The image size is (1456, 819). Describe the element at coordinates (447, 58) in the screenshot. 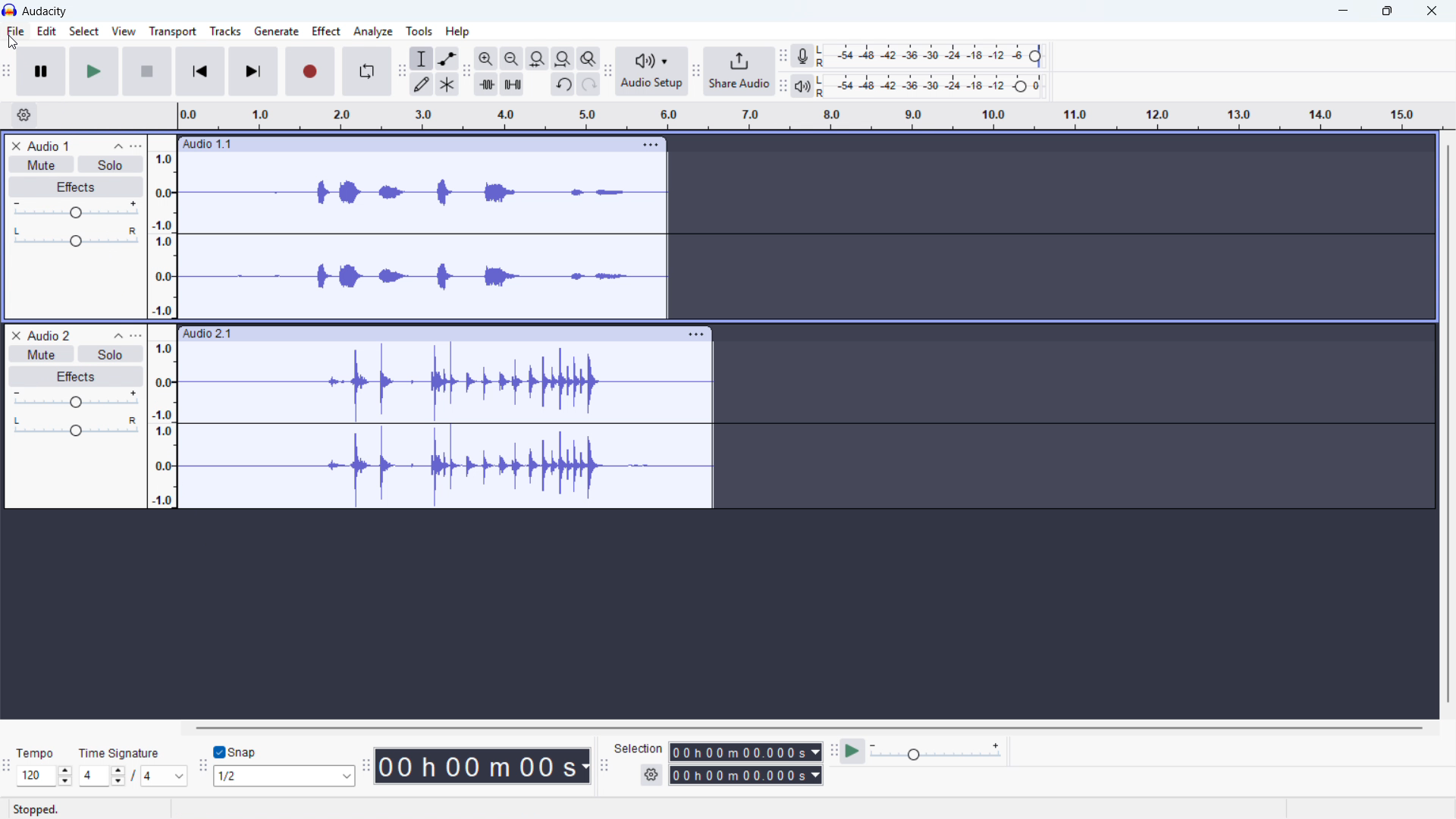

I see `Envelope tool ` at that location.